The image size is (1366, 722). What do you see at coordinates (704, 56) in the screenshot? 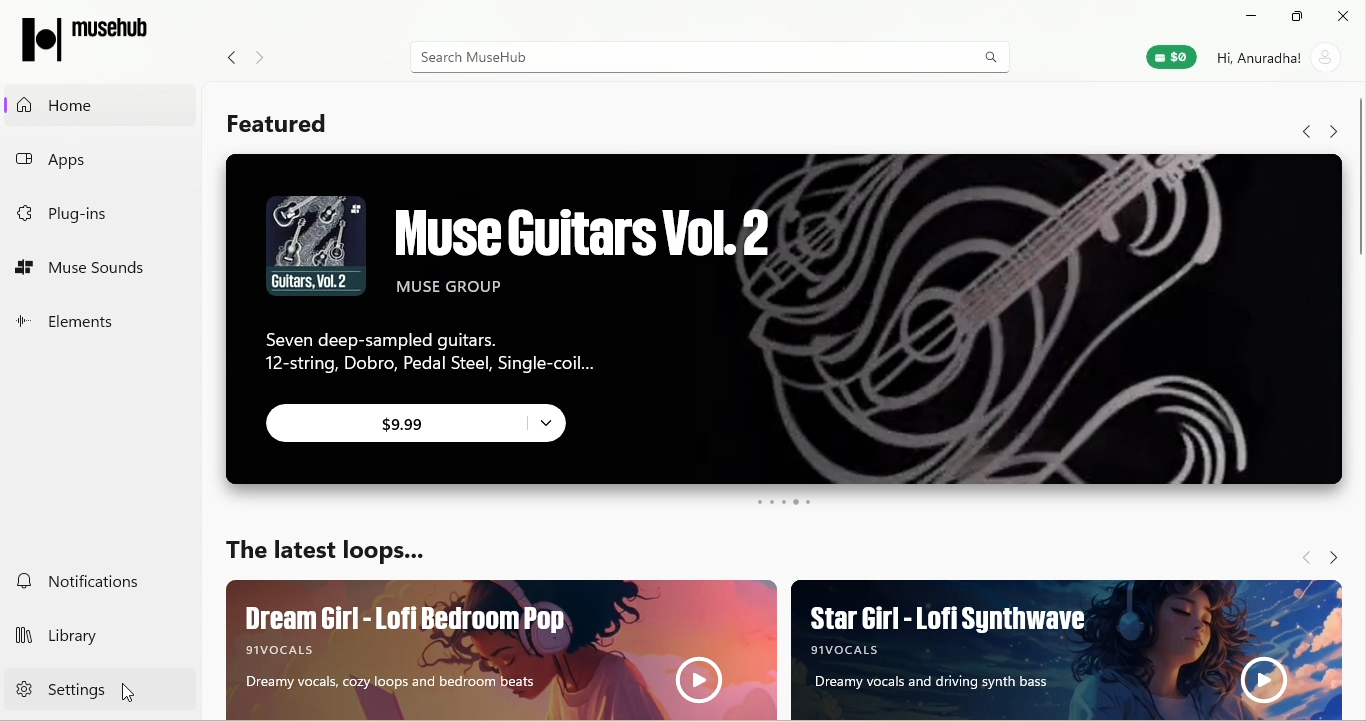
I see `search bar` at bounding box center [704, 56].